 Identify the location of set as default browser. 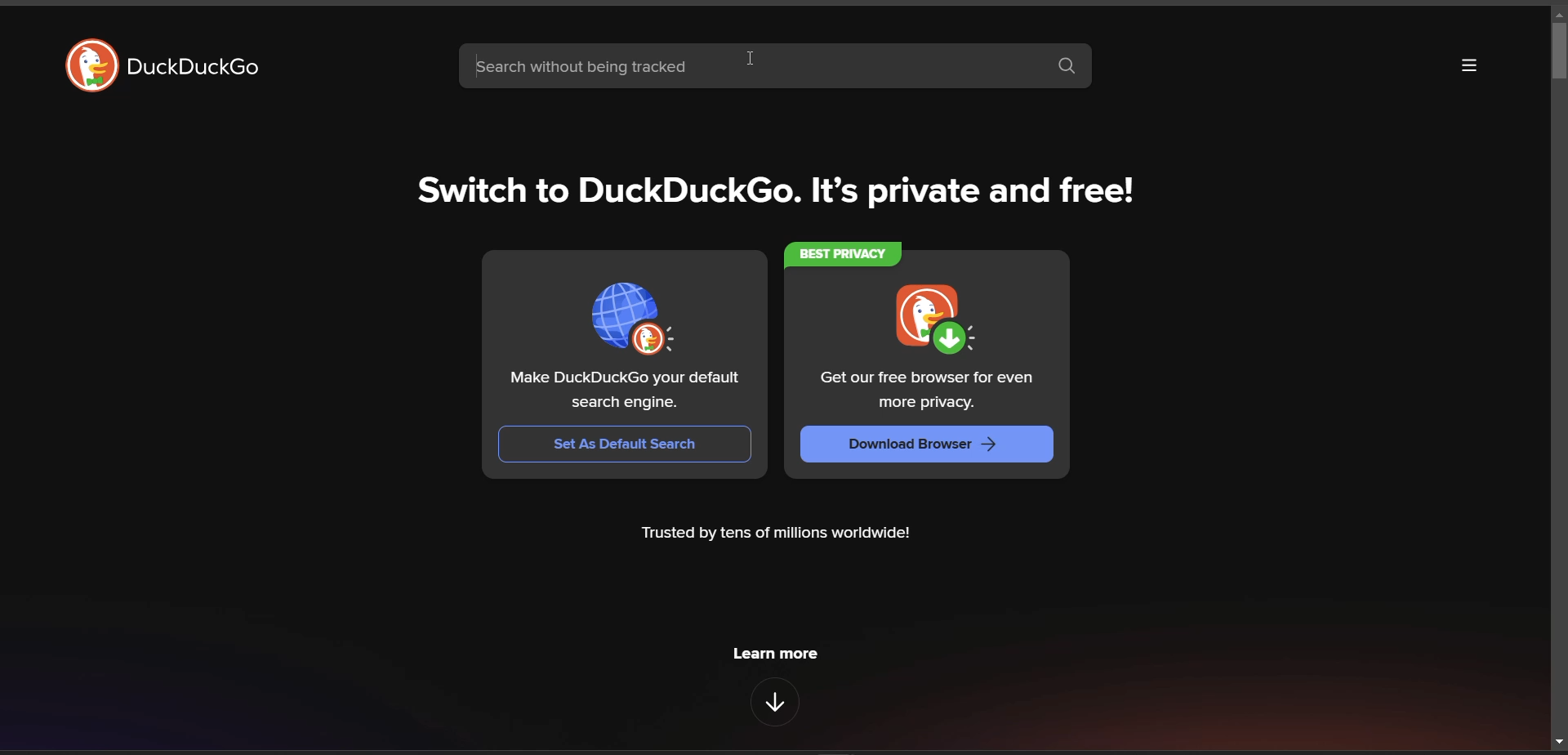
(627, 313).